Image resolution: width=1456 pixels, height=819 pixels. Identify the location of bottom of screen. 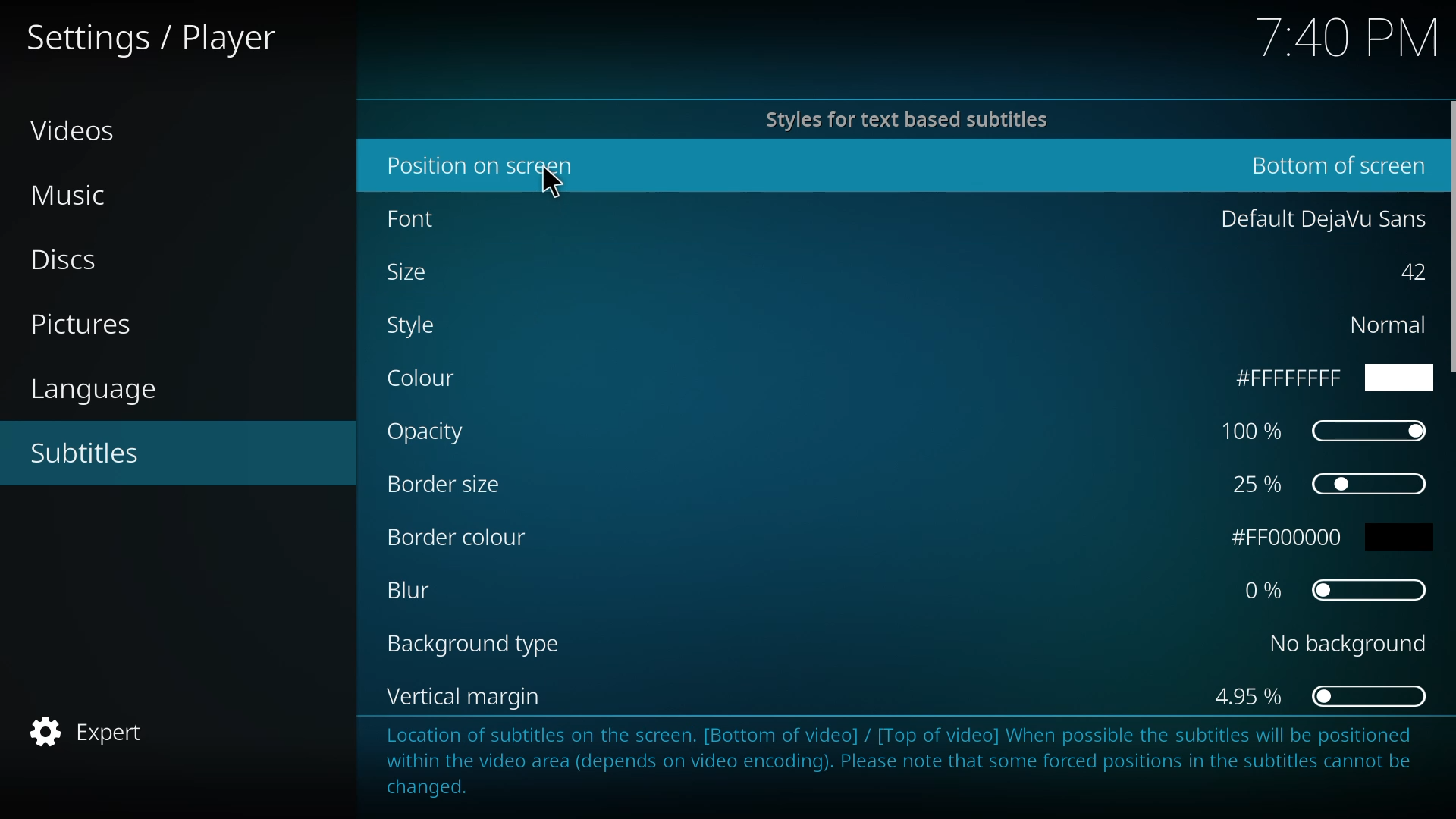
(1335, 164).